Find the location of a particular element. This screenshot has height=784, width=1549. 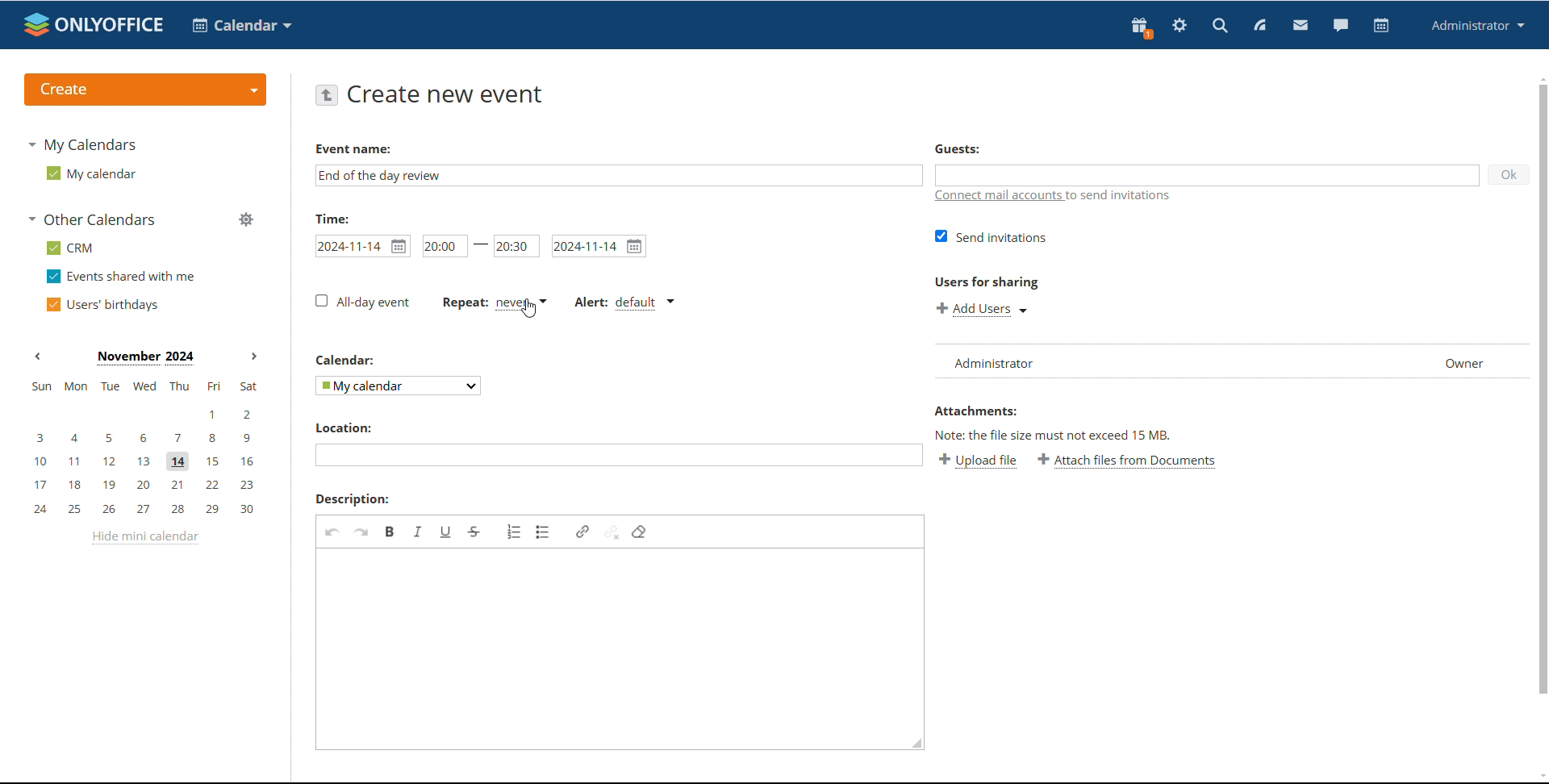

ok is located at coordinates (1508, 174).